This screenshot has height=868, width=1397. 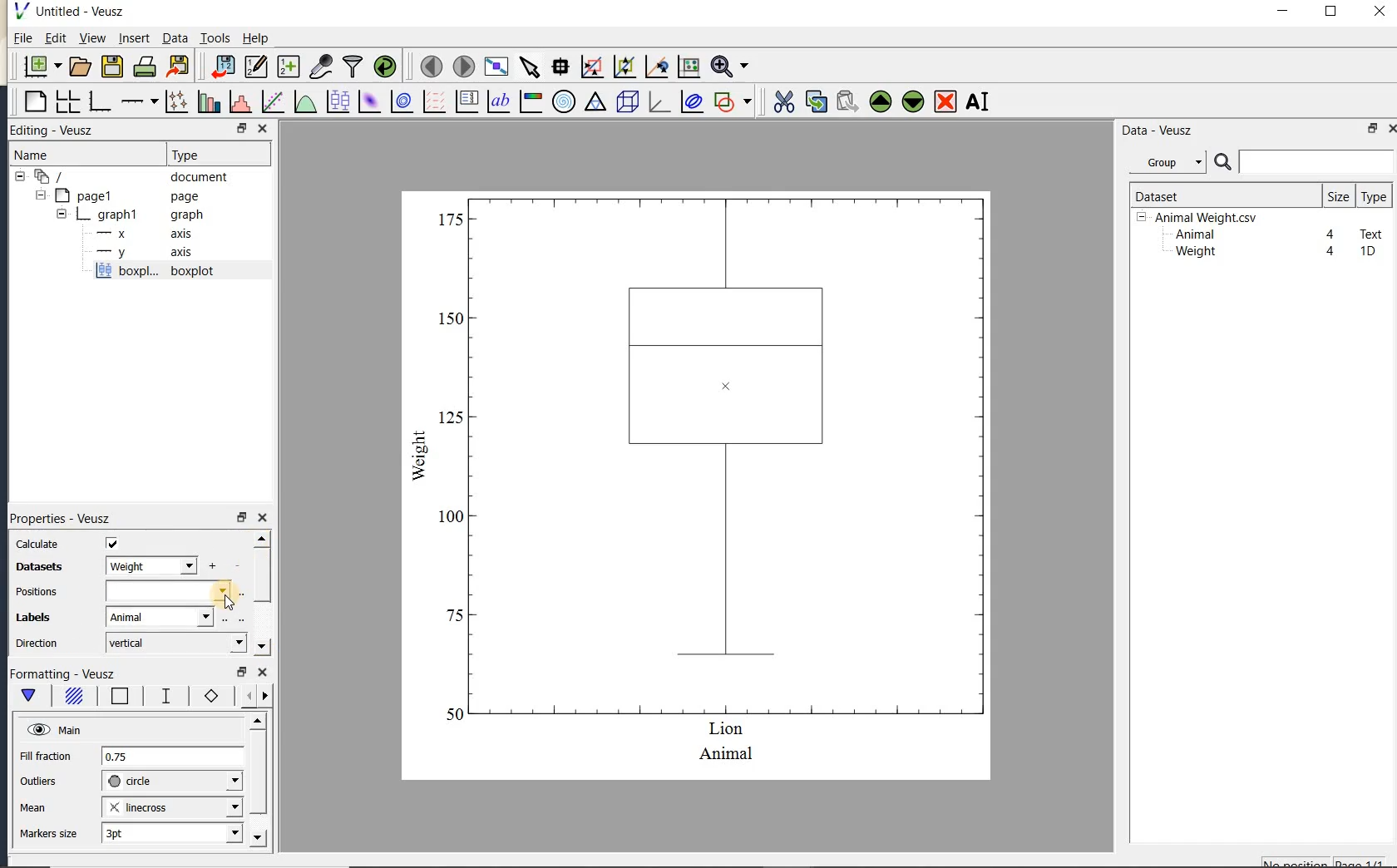 What do you see at coordinates (241, 517) in the screenshot?
I see `restore` at bounding box center [241, 517].